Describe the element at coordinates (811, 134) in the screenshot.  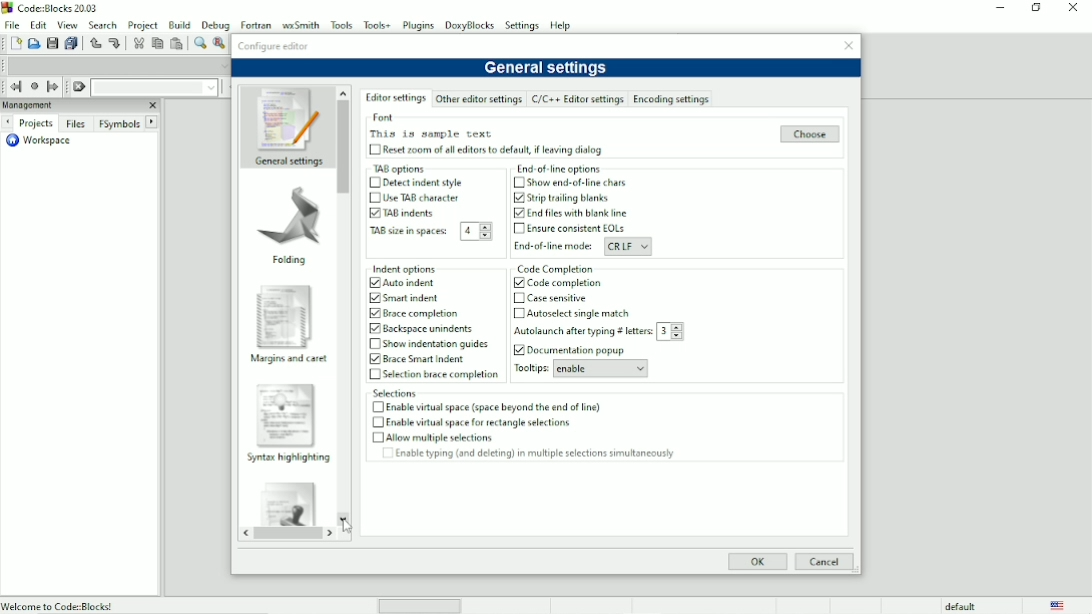
I see `Choose` at that location.